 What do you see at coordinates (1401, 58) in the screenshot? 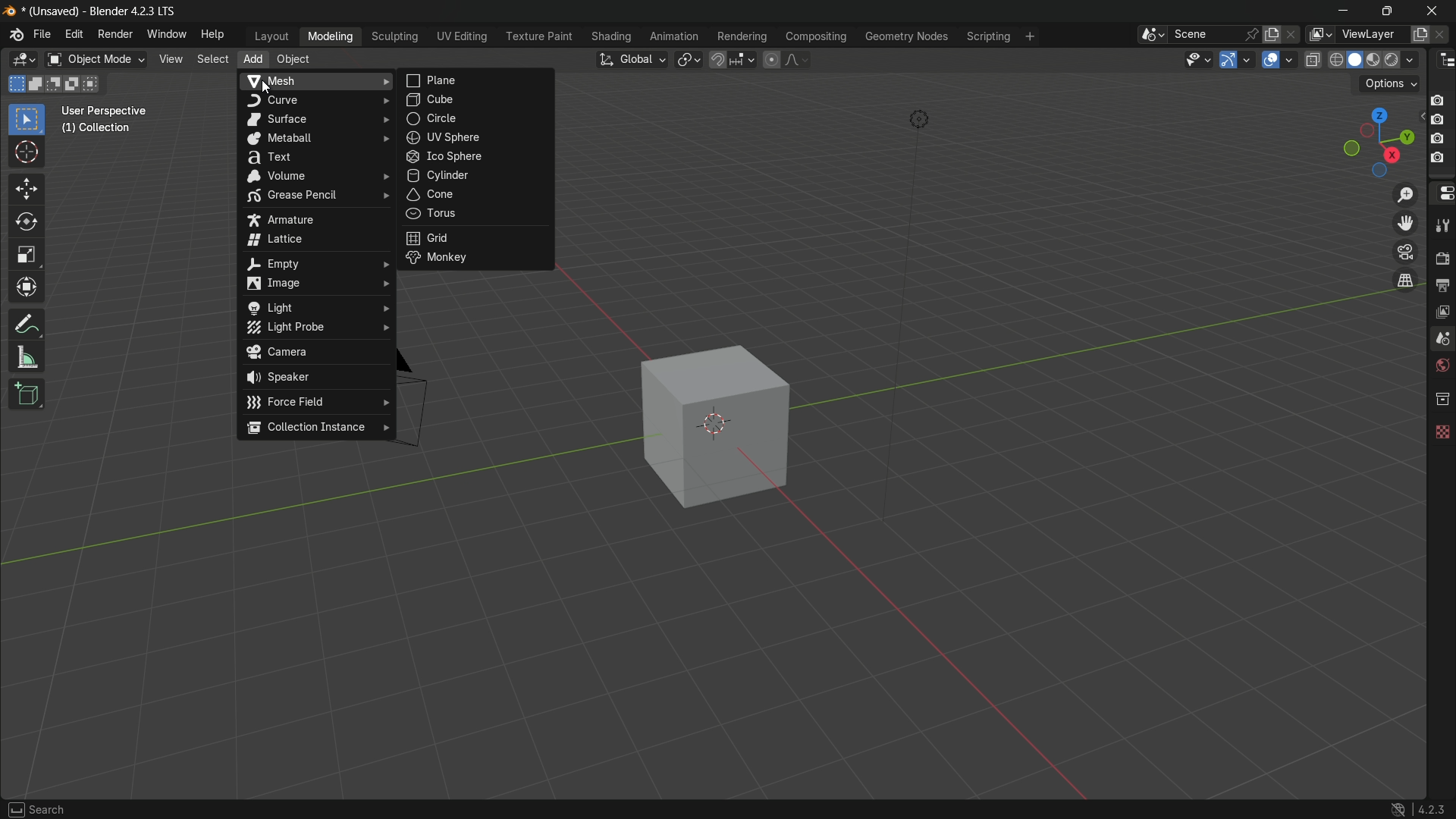
I see `render display` at bounding box center [1401, 58].